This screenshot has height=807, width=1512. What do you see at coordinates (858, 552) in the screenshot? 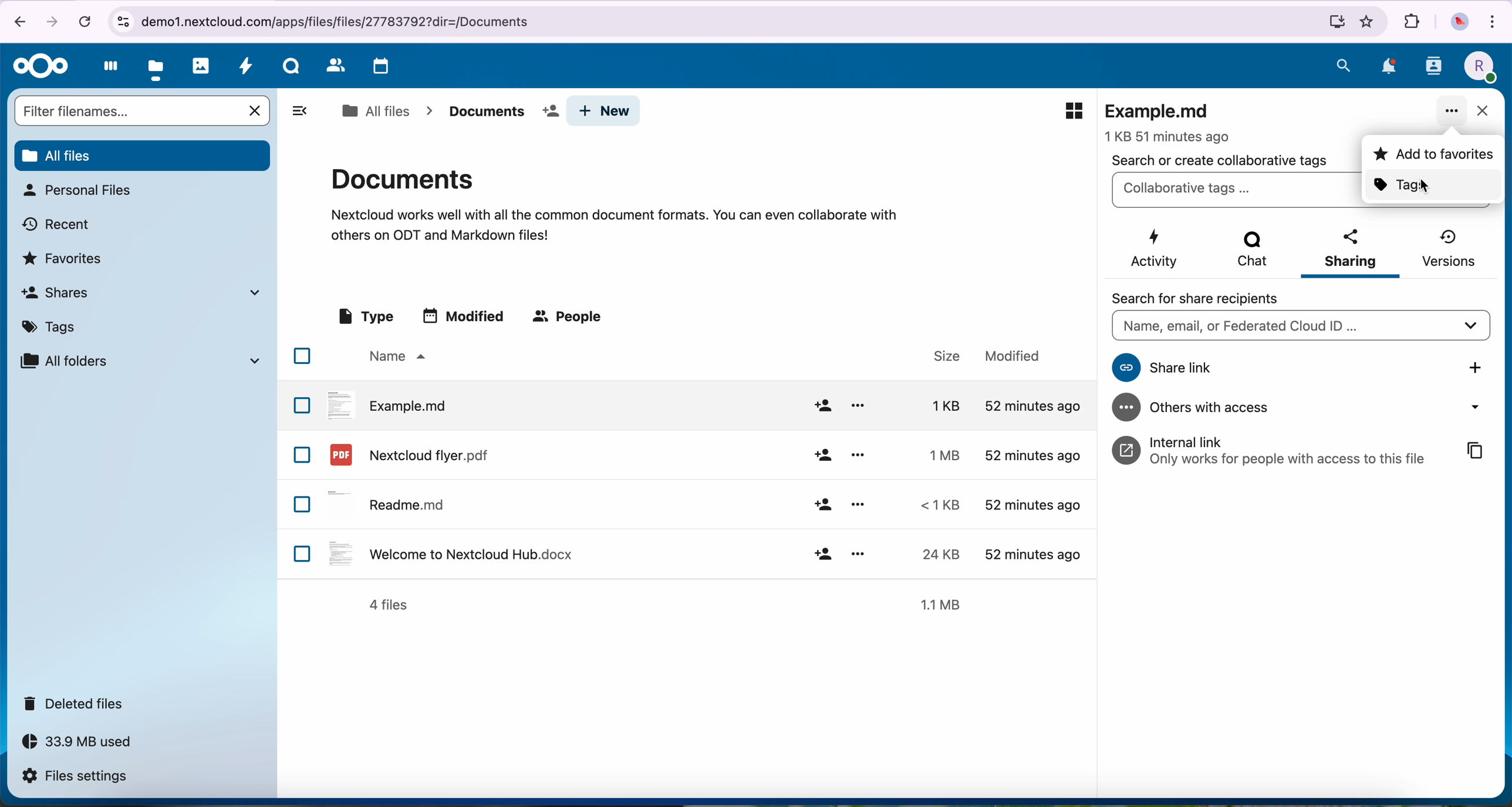
I see `options` at bounding box center [858, 552].